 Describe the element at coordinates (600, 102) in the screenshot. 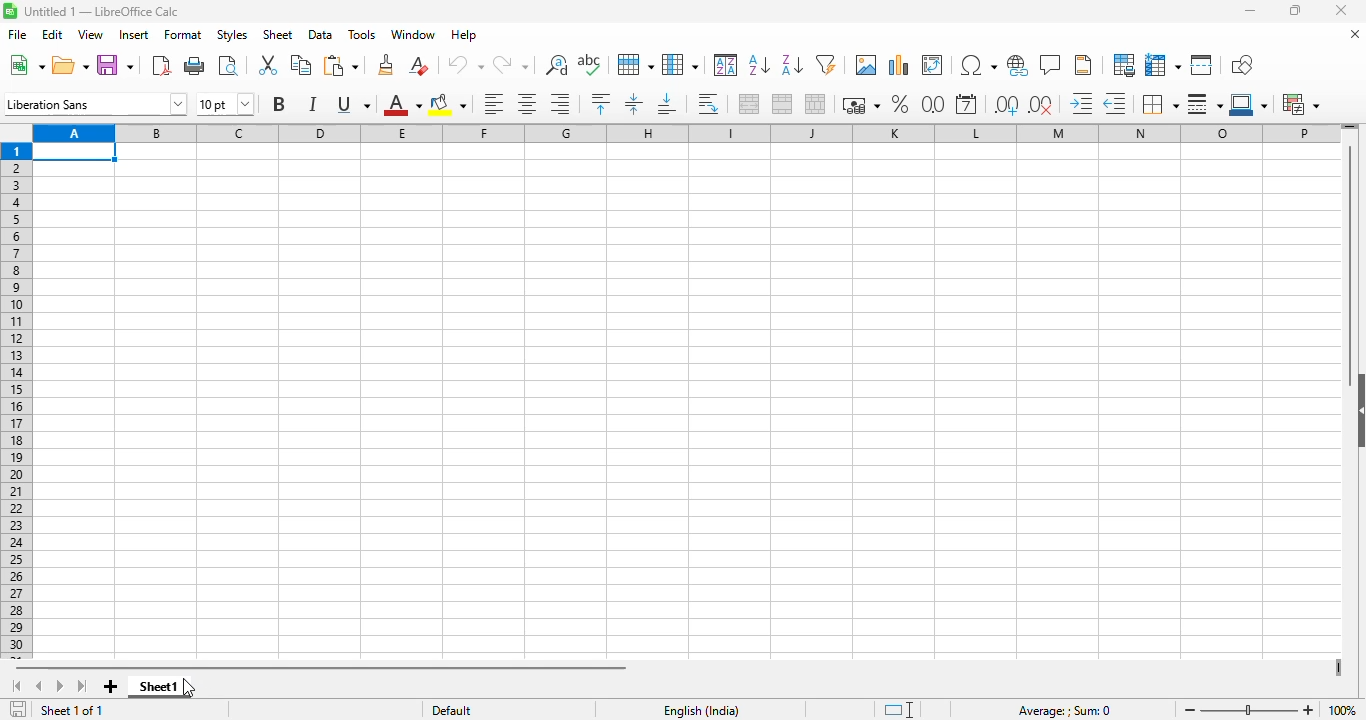

I see `align top` at that location.